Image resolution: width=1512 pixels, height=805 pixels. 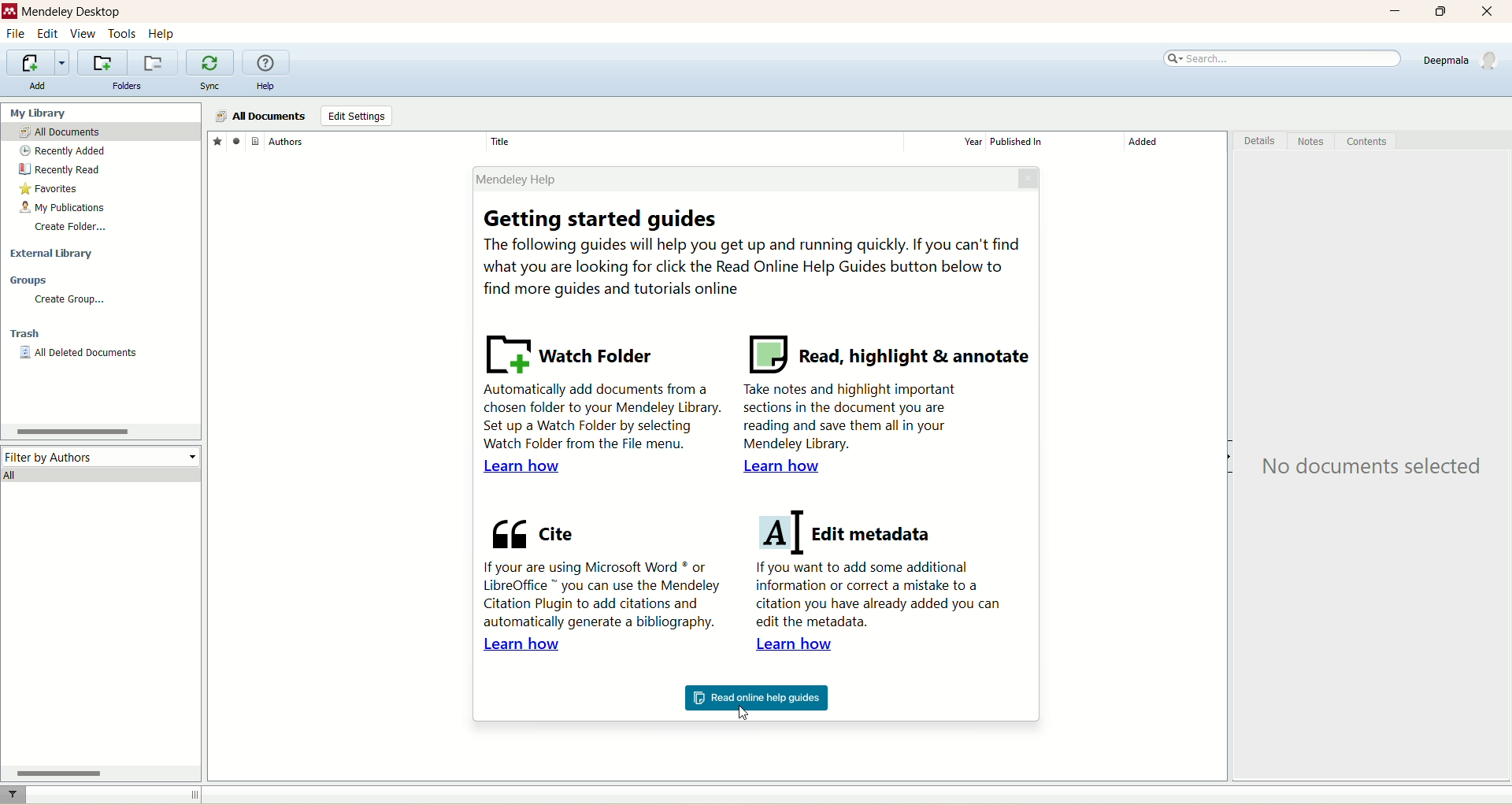 What do you see at coordinates (599, 593) in the screenshot?
I see `If you are using Microsoft Word * or LibreOffice * you can use the Mendeley Citation Plugin to add citations and automatically generate a bibliography.` at bounding box center [599, 593].